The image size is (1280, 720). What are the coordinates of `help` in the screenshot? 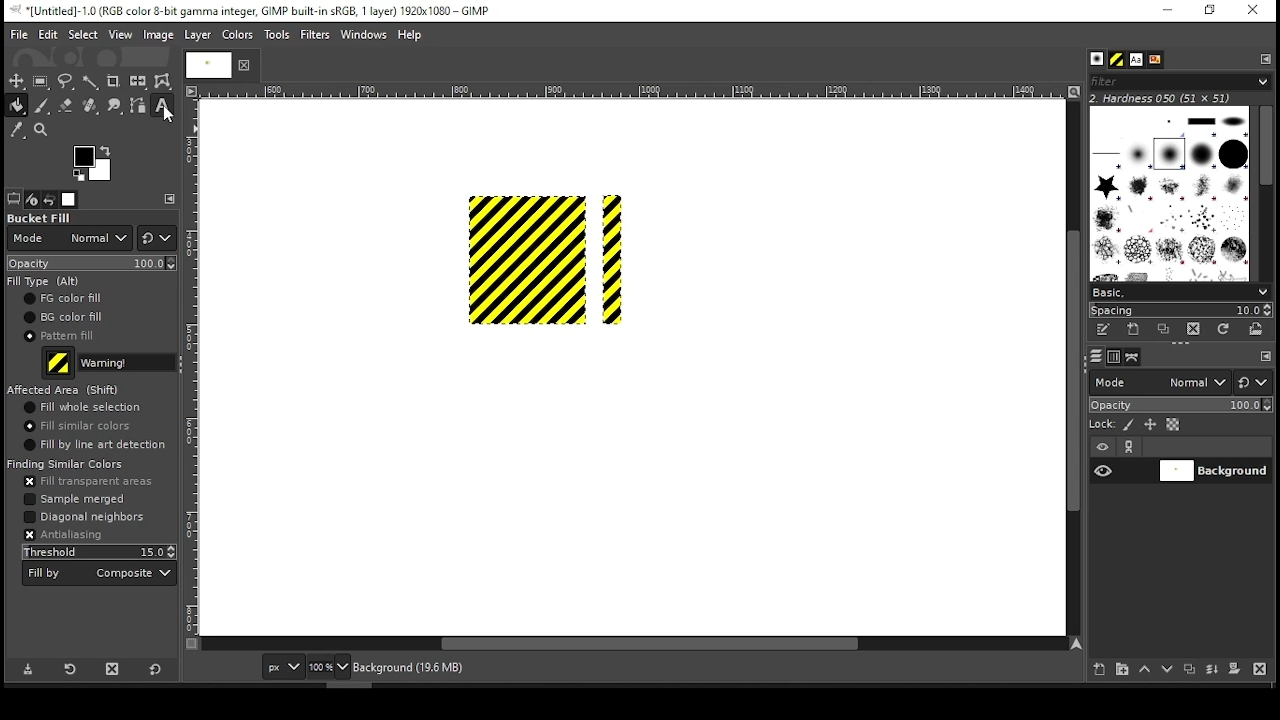 It's located at (410, 36).